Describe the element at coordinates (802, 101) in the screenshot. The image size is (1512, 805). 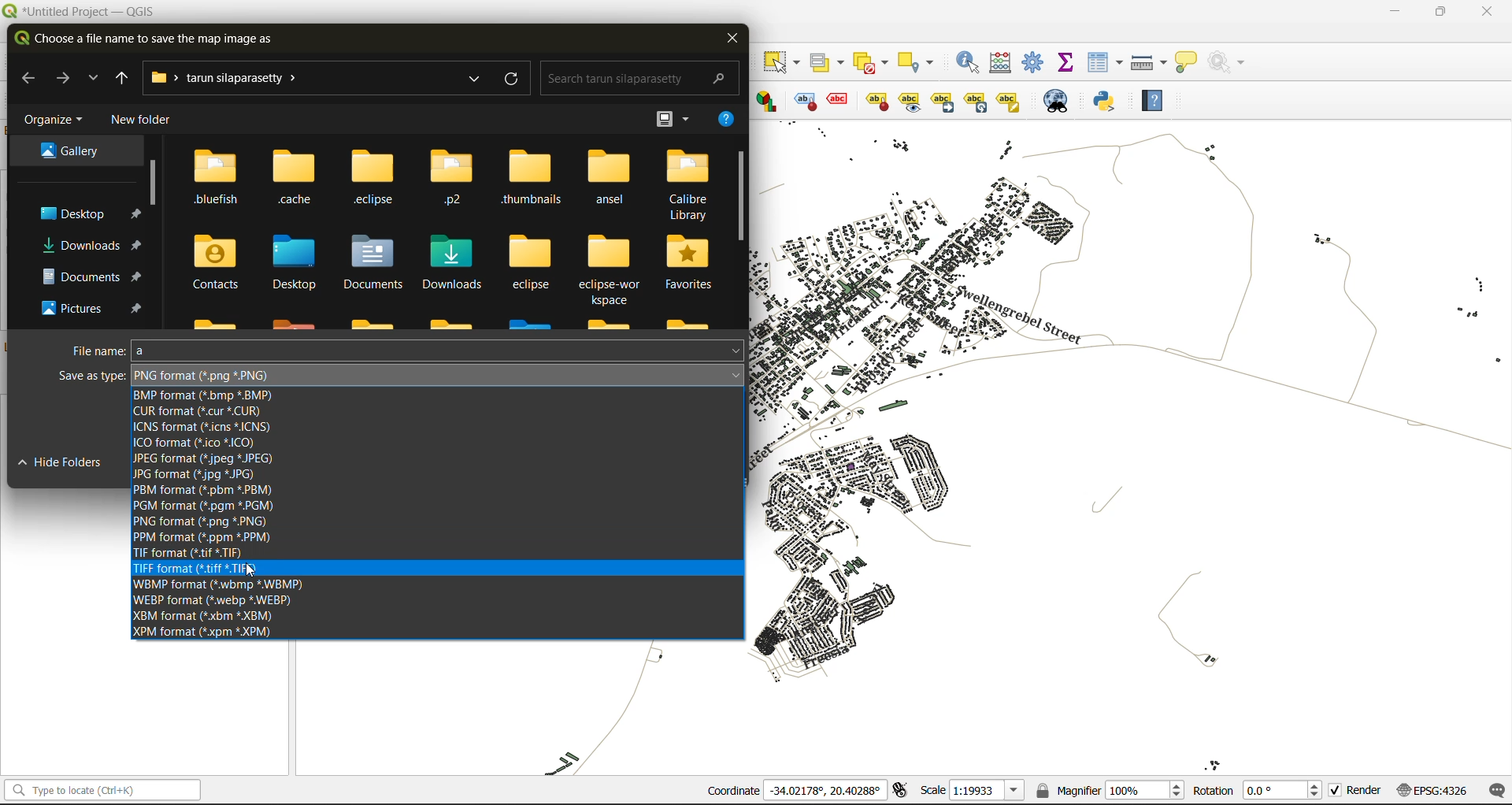
I see ` toggle display` at that location.